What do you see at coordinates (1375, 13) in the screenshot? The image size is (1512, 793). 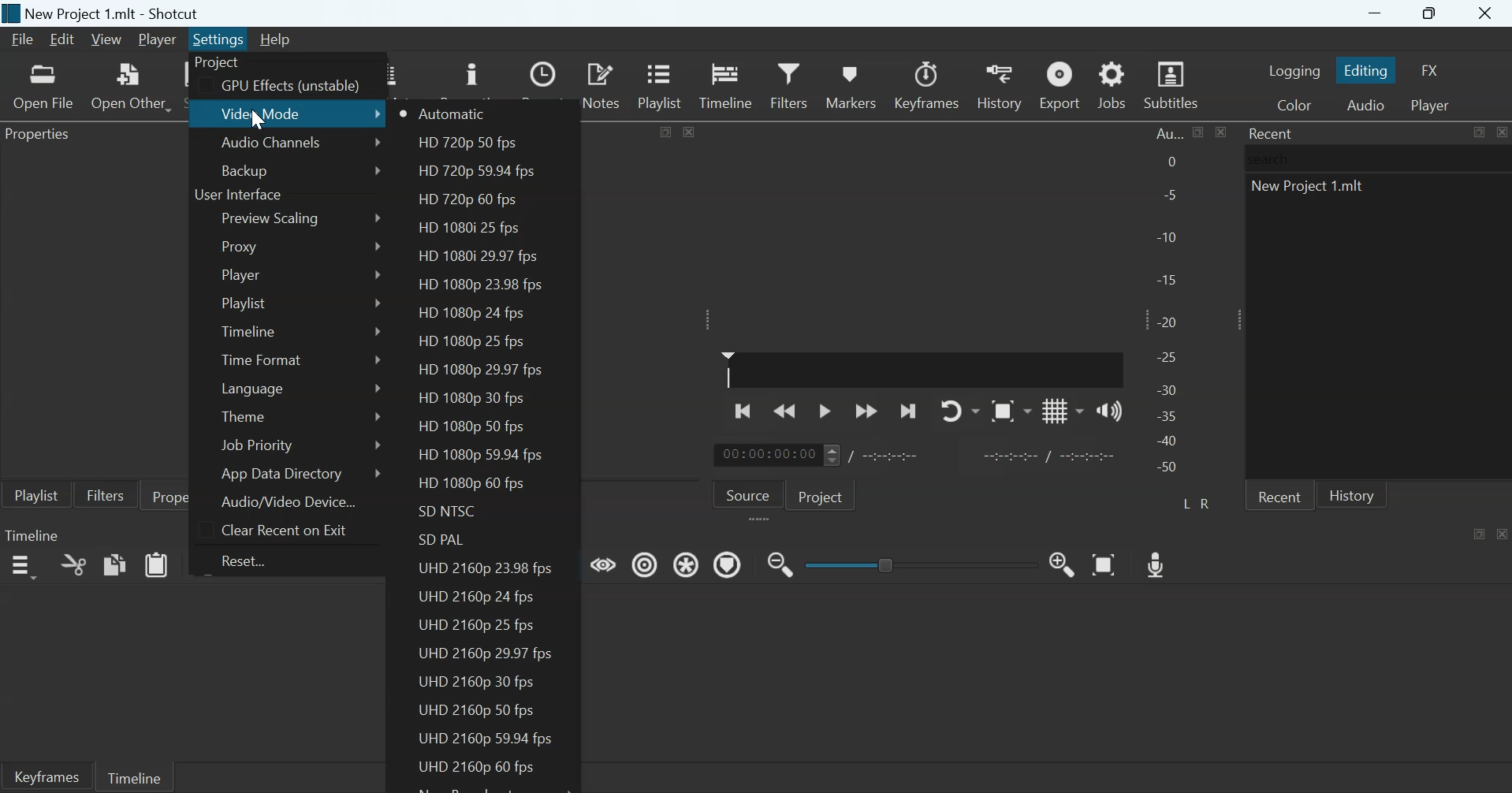 I see `Minimize` at bounding box center [1375, 13].